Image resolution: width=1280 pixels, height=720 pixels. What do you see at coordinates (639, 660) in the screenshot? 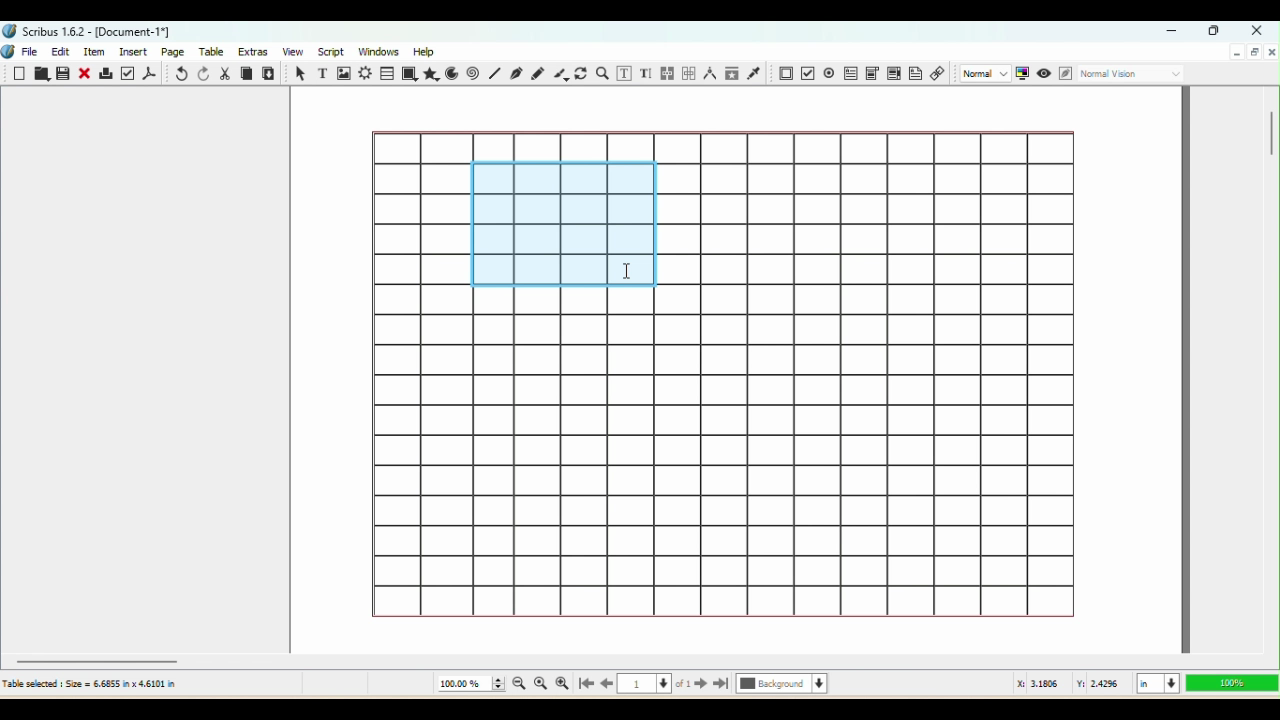
I see `Horizontal scroll bar` at bounding box center [639, 660].